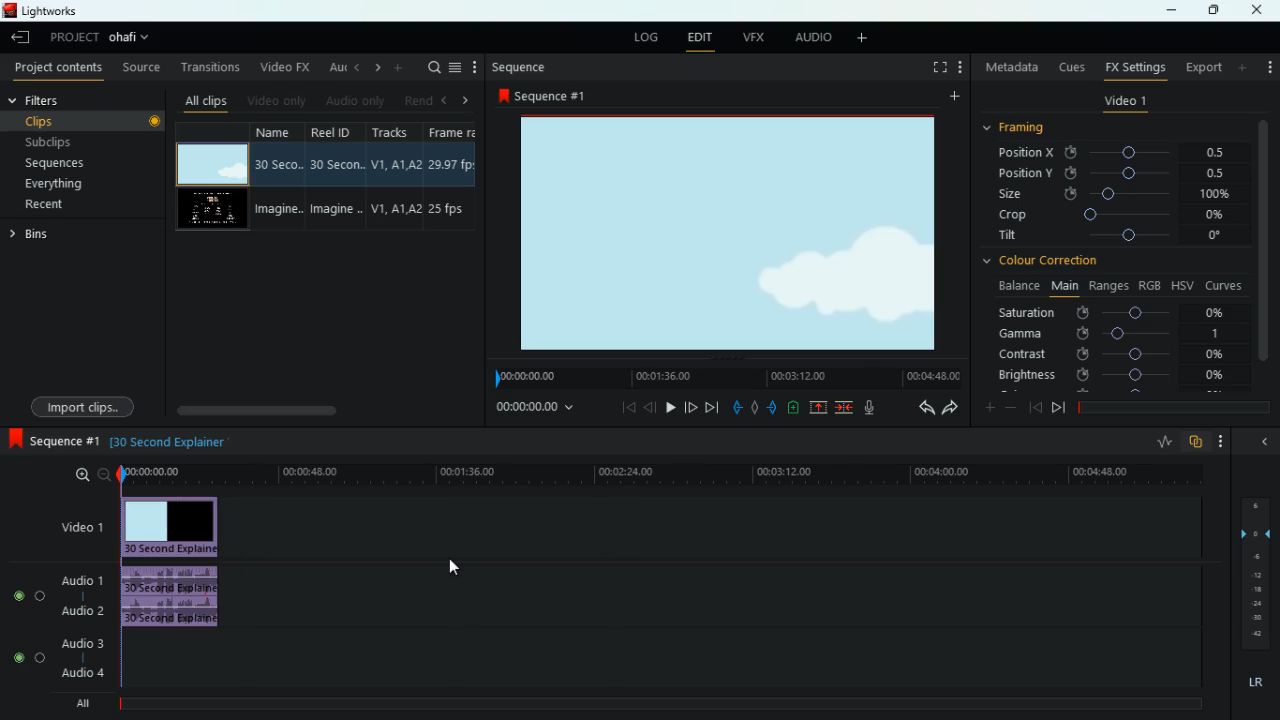 The image size is (1280, 720). I want to click on fx settings, so click(1133, 67).